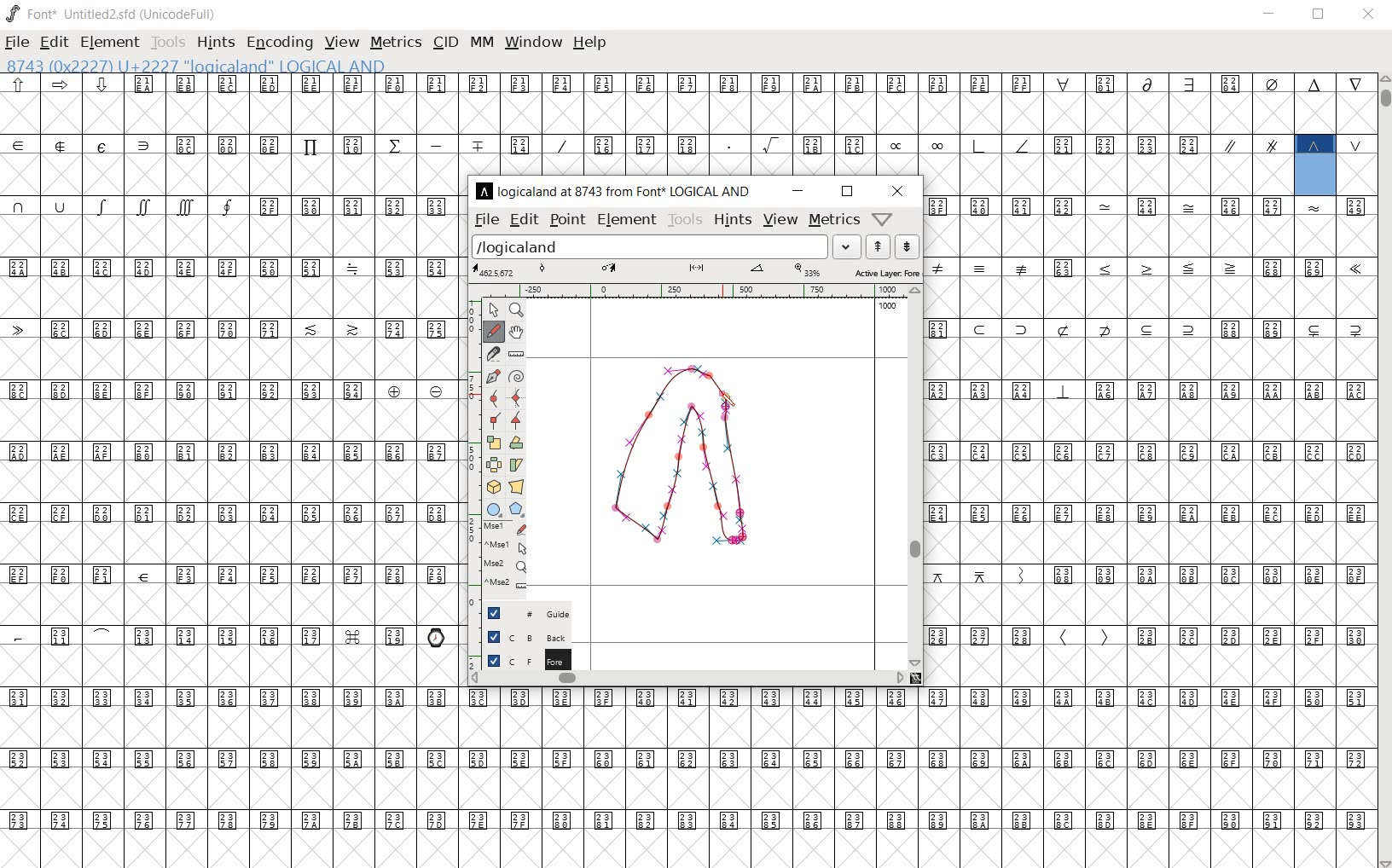 This screenshot has height=868, width=1392. Describe the element at coordinates (495, 311) in the screenshot. I see `POINTER` at that location.